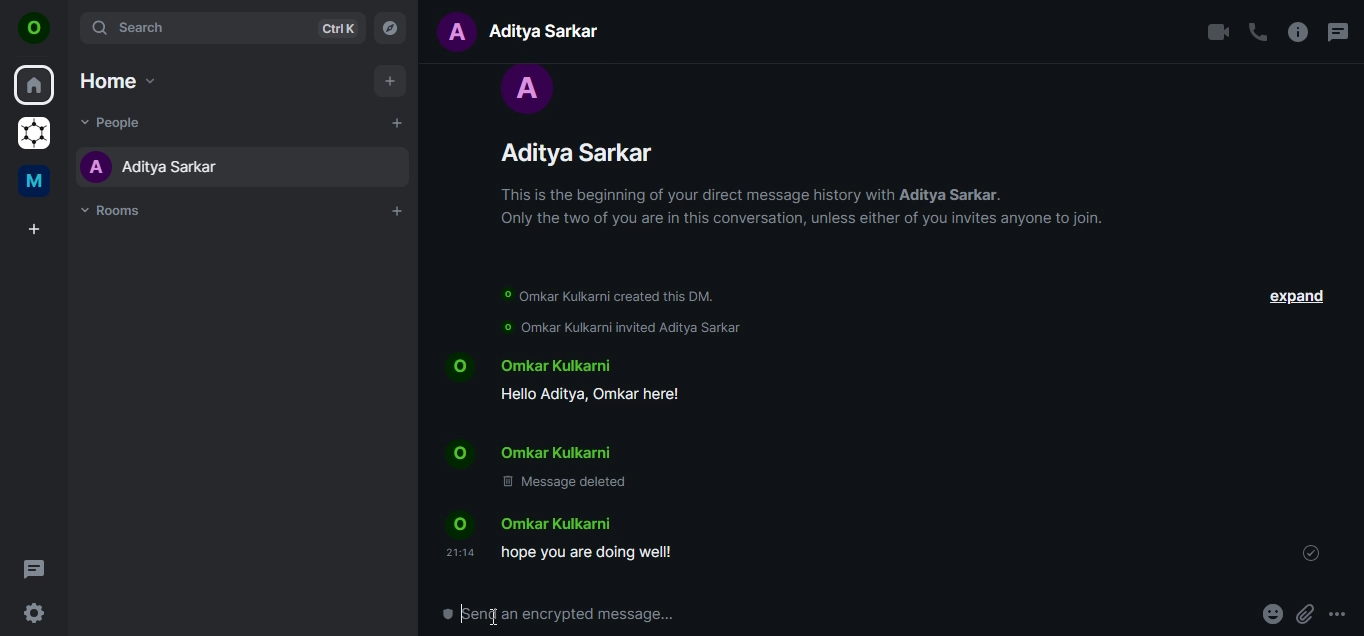 Image resolution: width=1364 pixels, height=636 pixels. What do you see at coordinates (226, 28) in the screenshot?
I see `search ` at bounding box center [226, 28].